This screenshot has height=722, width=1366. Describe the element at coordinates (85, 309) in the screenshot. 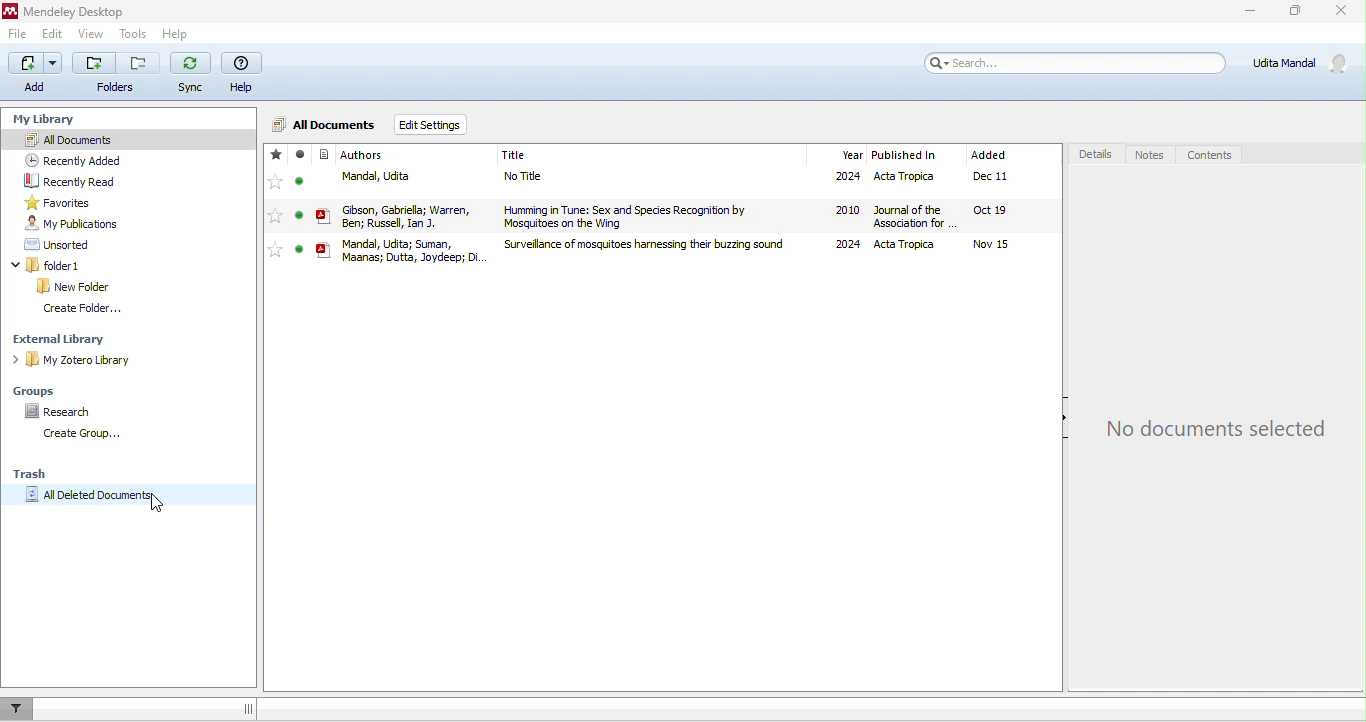

I see `create folder` at that location.